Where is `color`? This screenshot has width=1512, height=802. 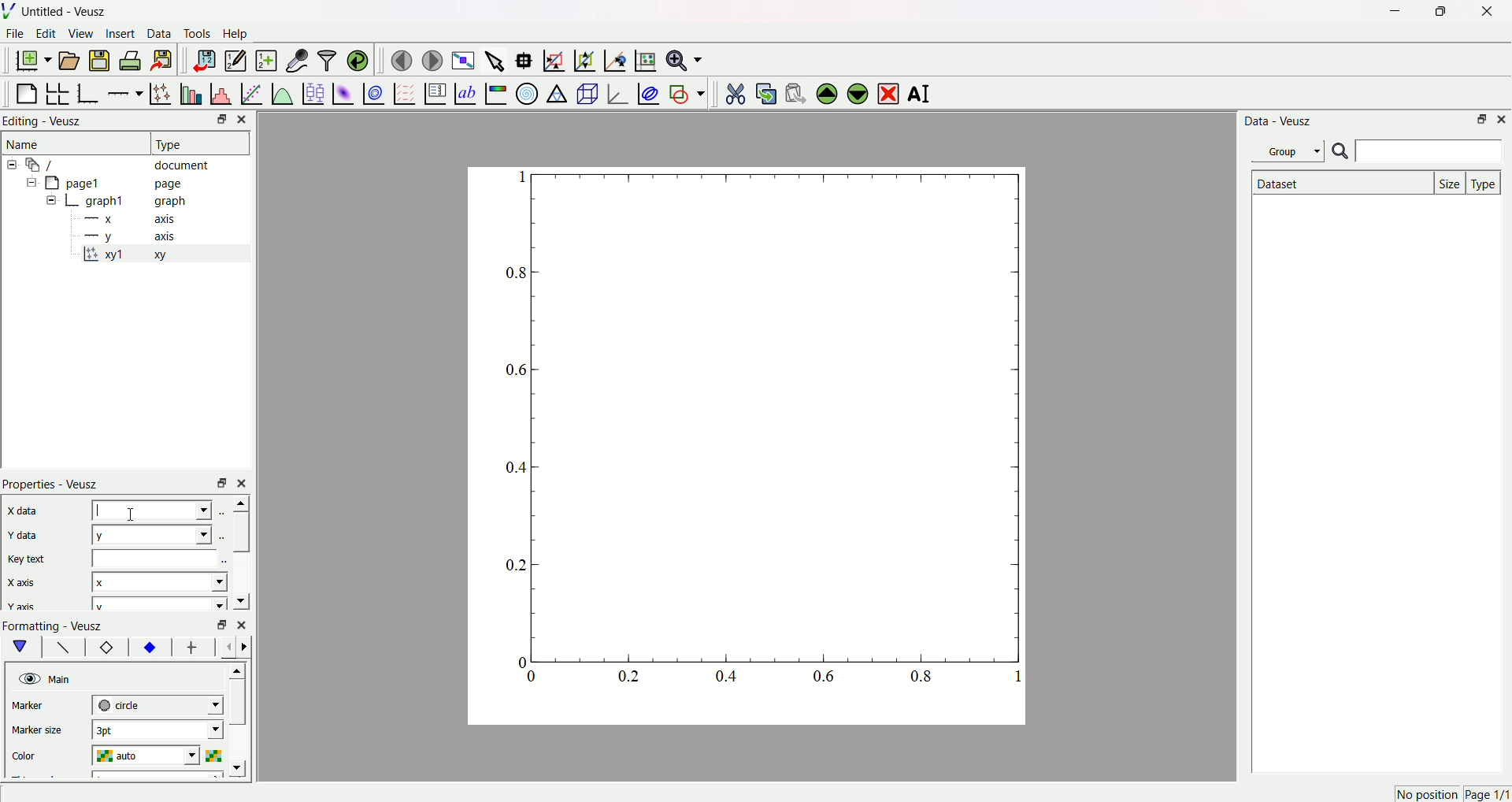
color is located at coordinates (41, 753).